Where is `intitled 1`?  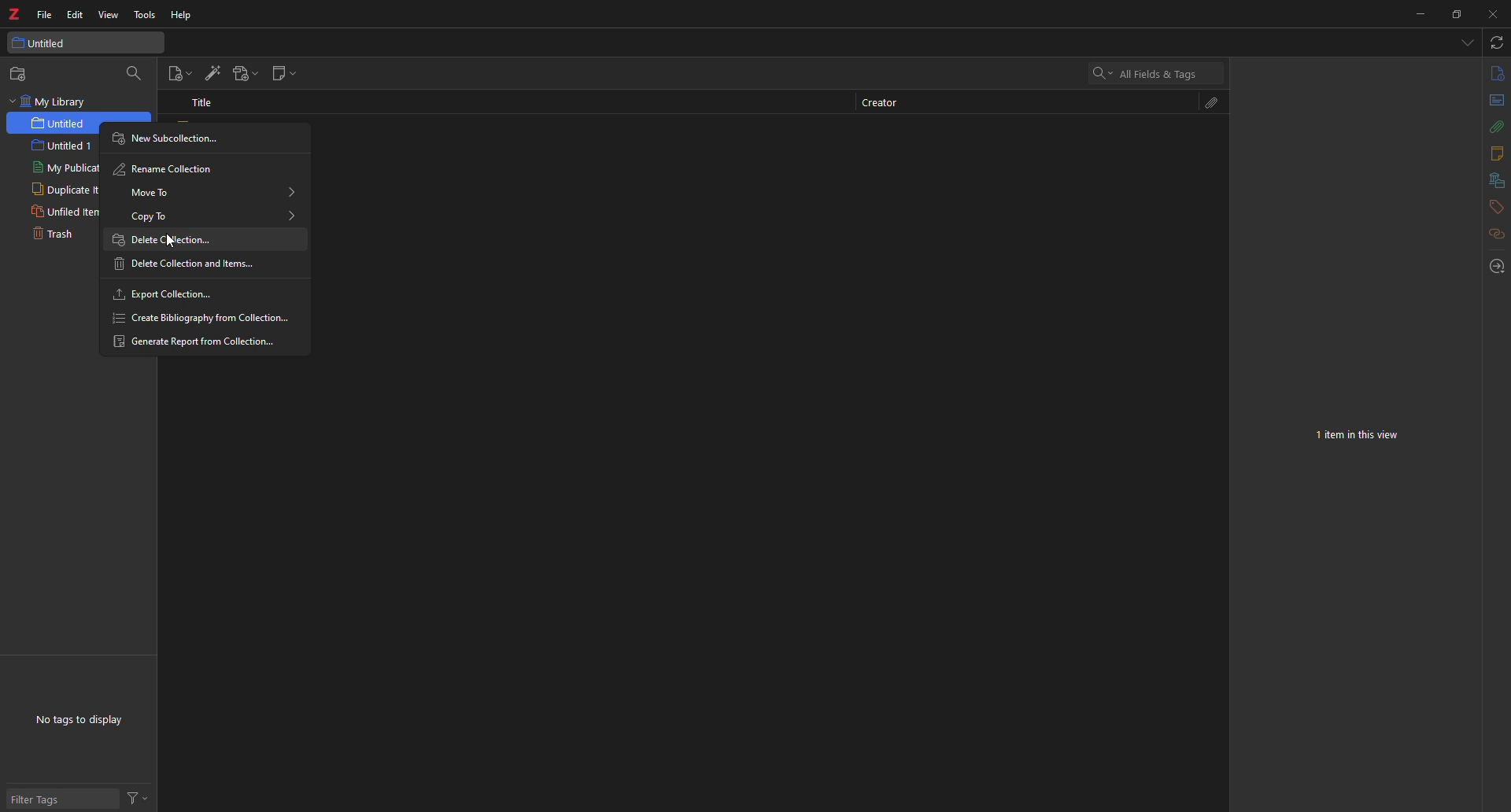
intitled 1 is located at coordinates (66, 146).